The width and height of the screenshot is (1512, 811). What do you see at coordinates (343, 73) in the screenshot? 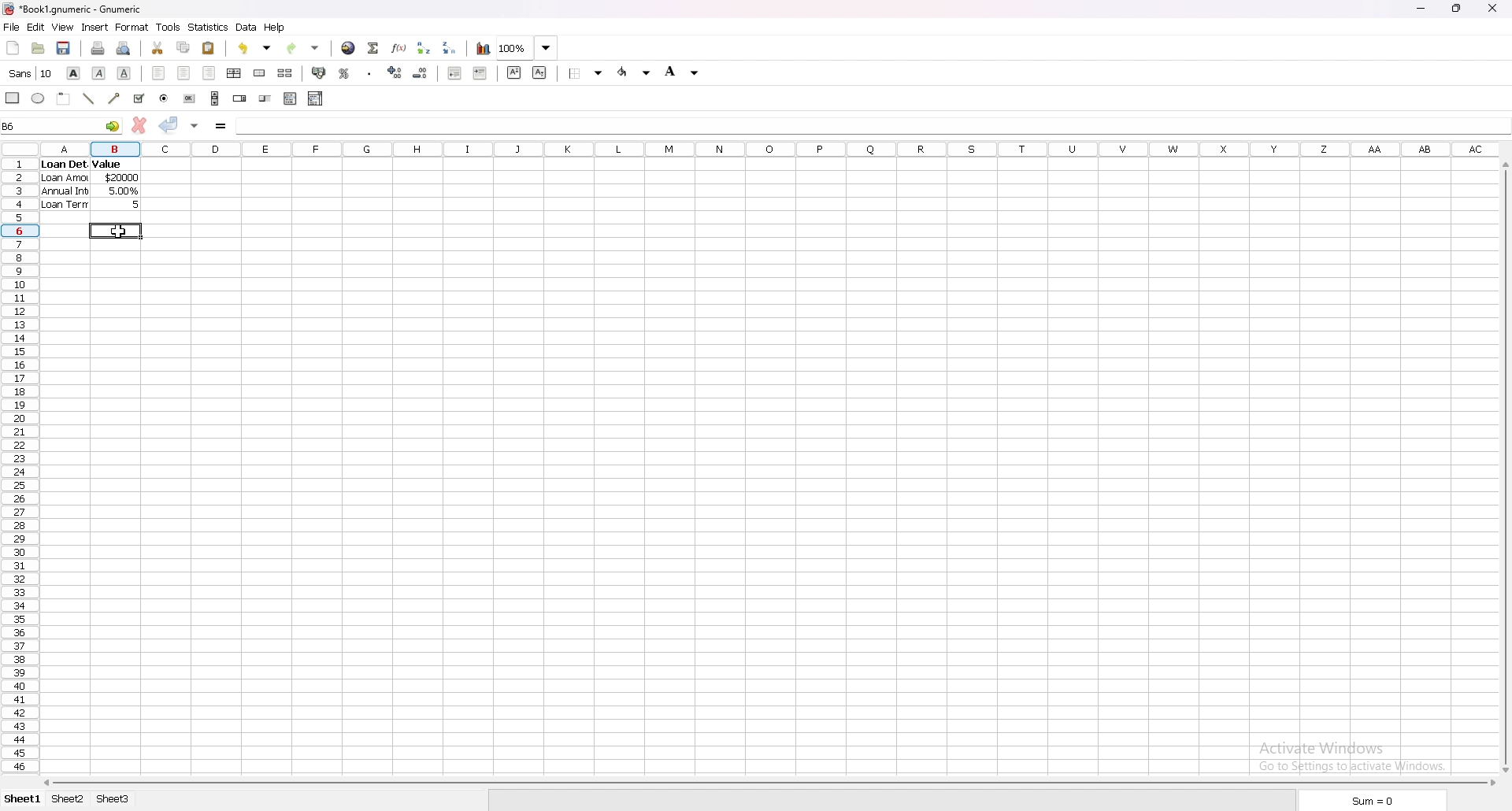
I see `percentage` at bounding box center [343, 73].